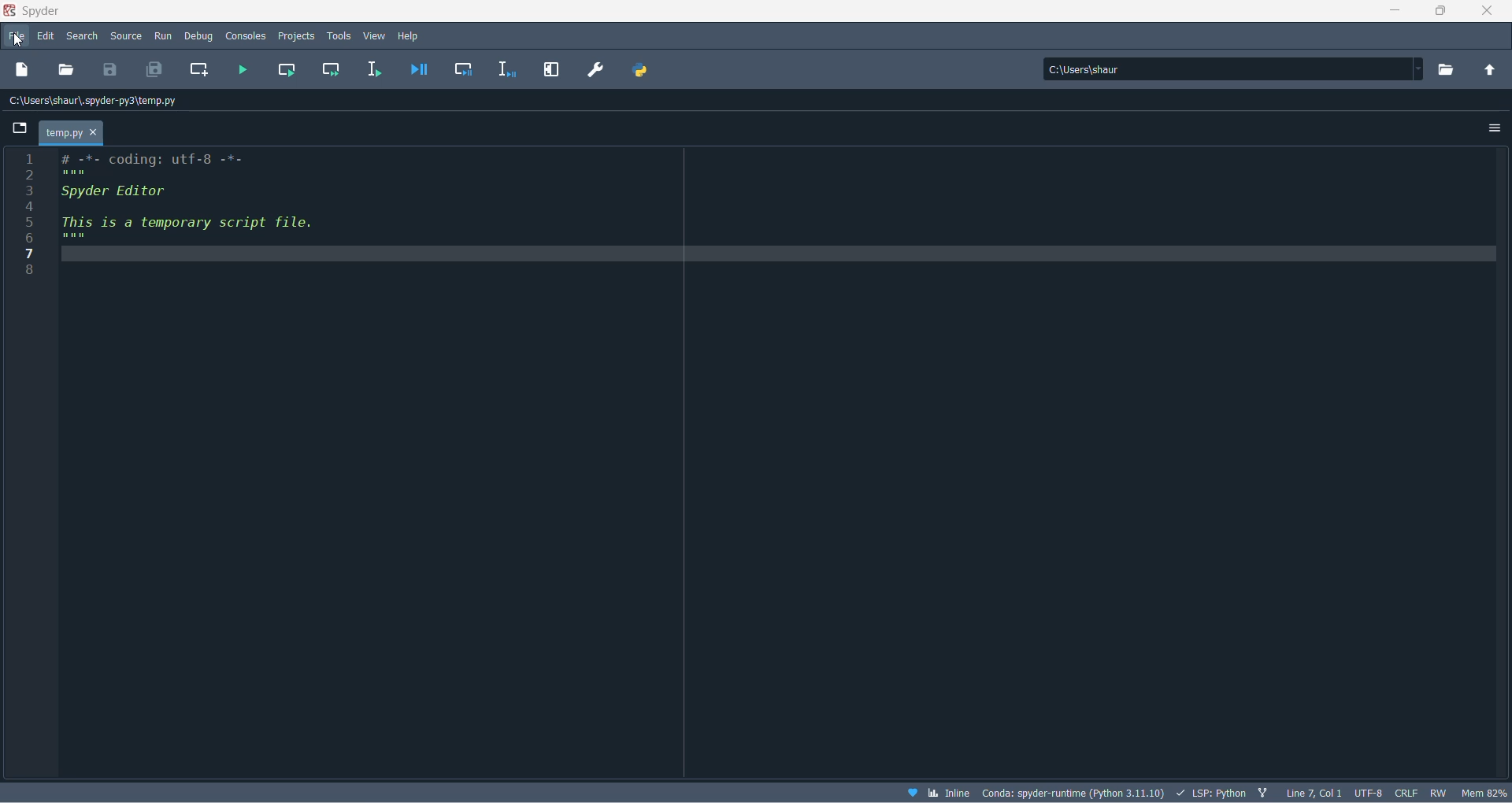 This screenshot has width=1512, height=803. Describe the element at coordinates (339, 35) in the screenshot. I see `tools` at that location.